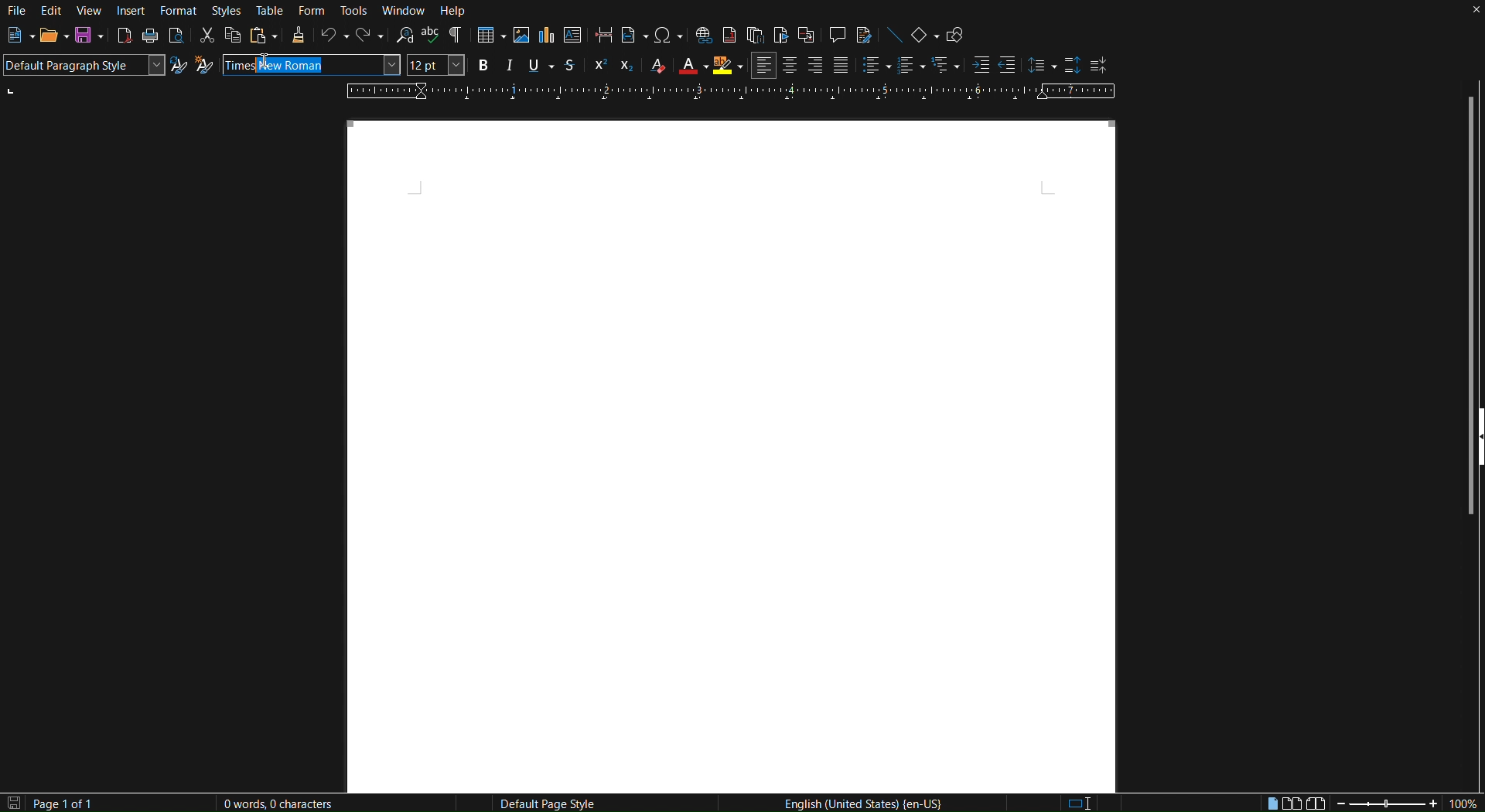 The image size is (1485, 812). What do you see at coordinates (1315, 801) in the screenshot?
I see `Book view` at bounding box center [1315, 801].